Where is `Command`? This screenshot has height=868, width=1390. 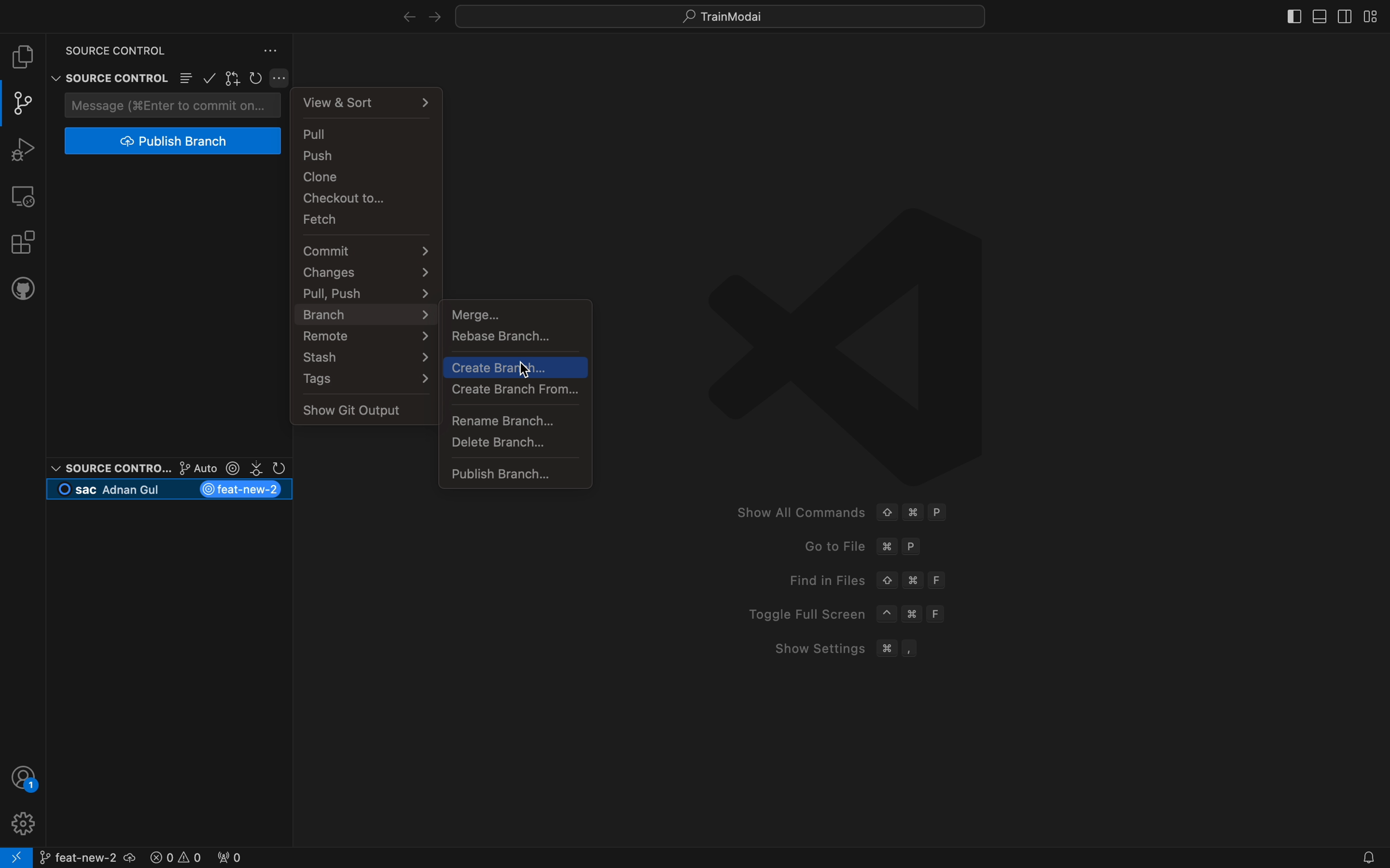 Command is located at coordinates (886, 648).